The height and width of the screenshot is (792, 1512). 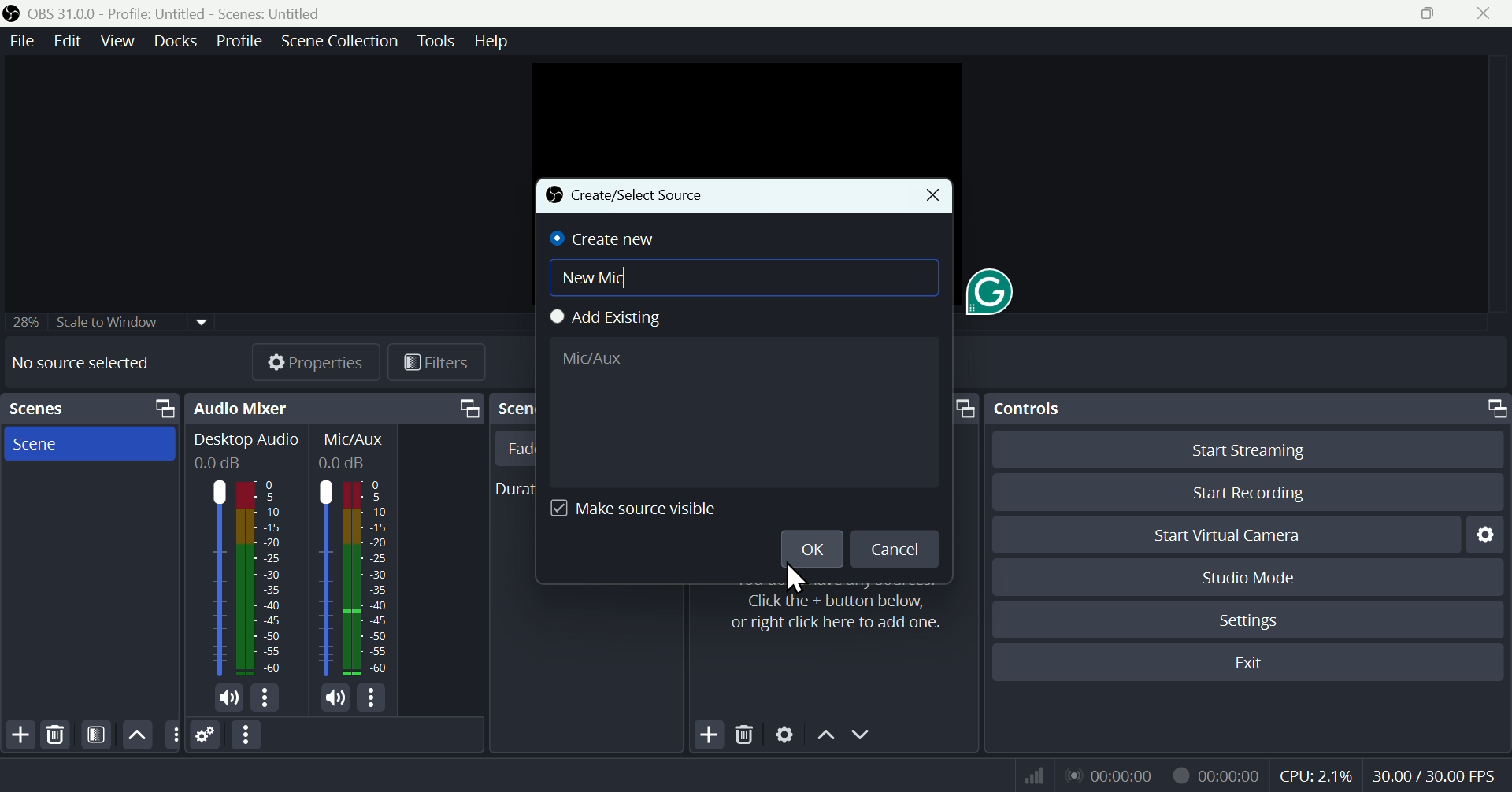 What do you see at coordinates (614, 319) in the screenshot?
I see `(un)check Add Existing` at bounding box center [614, 319].